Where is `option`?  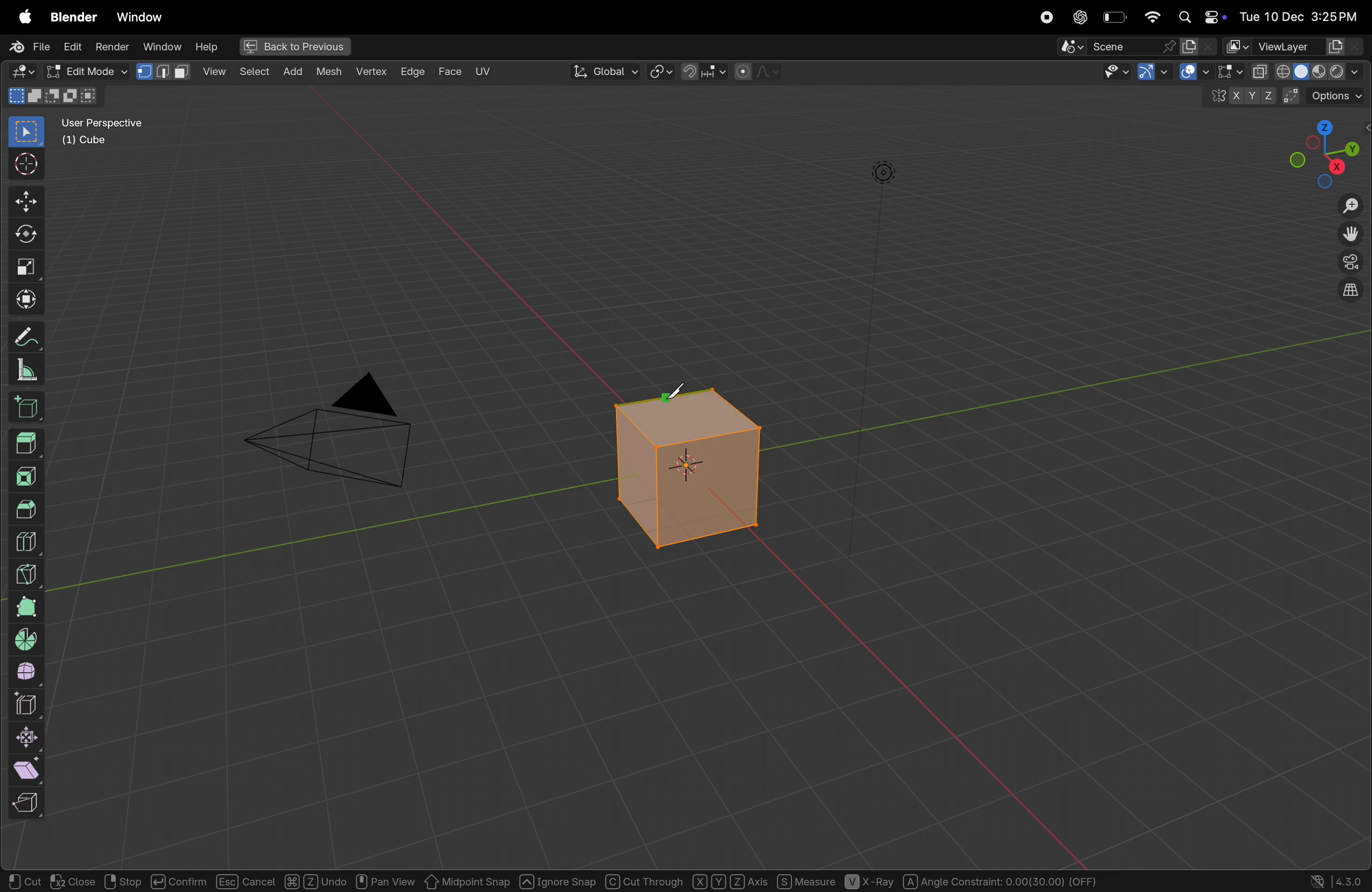
option is located at coordinates (1328, 95).